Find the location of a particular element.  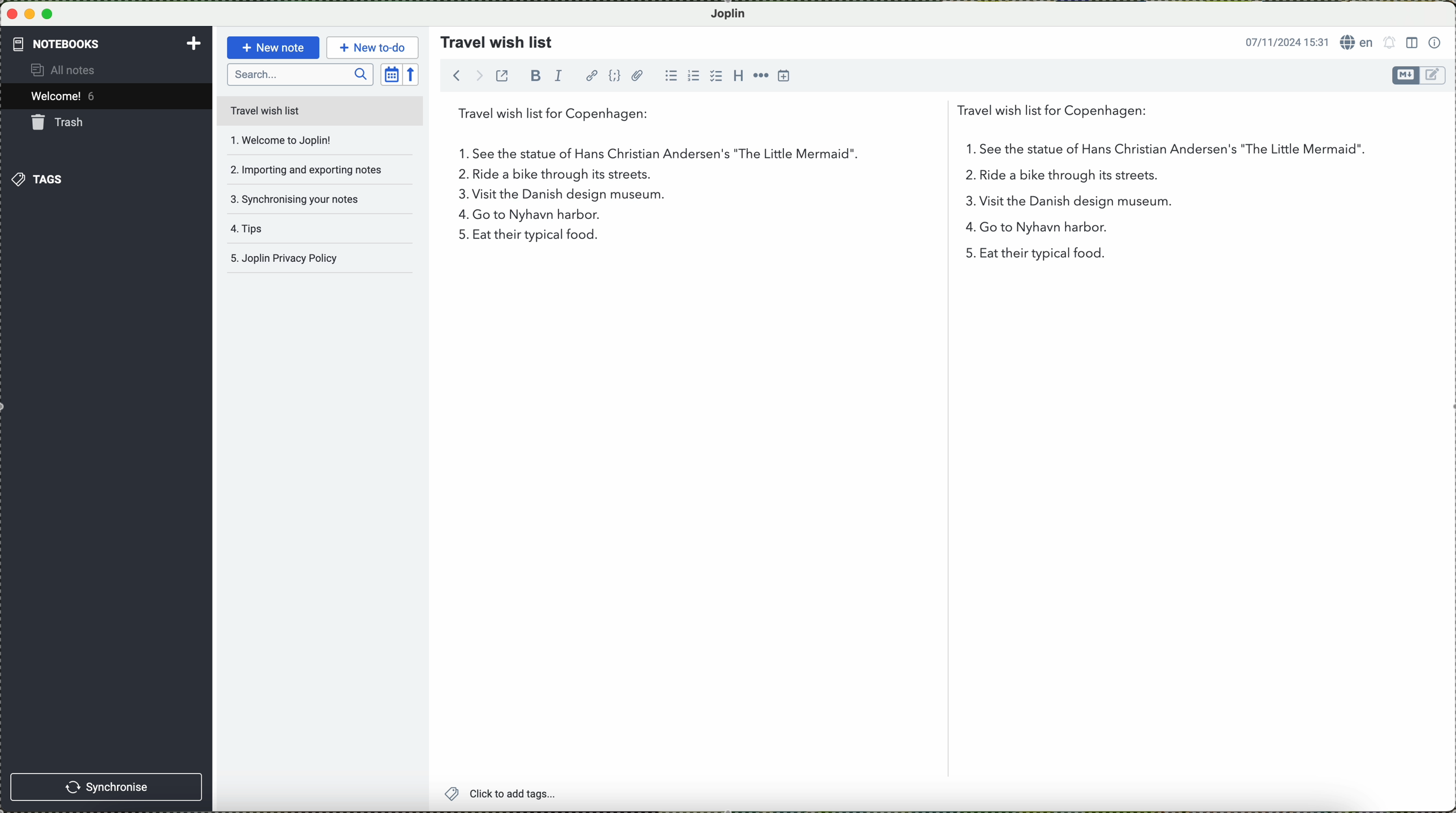

travel wish list for Copenhagen: is located at coordinates (809, 116).